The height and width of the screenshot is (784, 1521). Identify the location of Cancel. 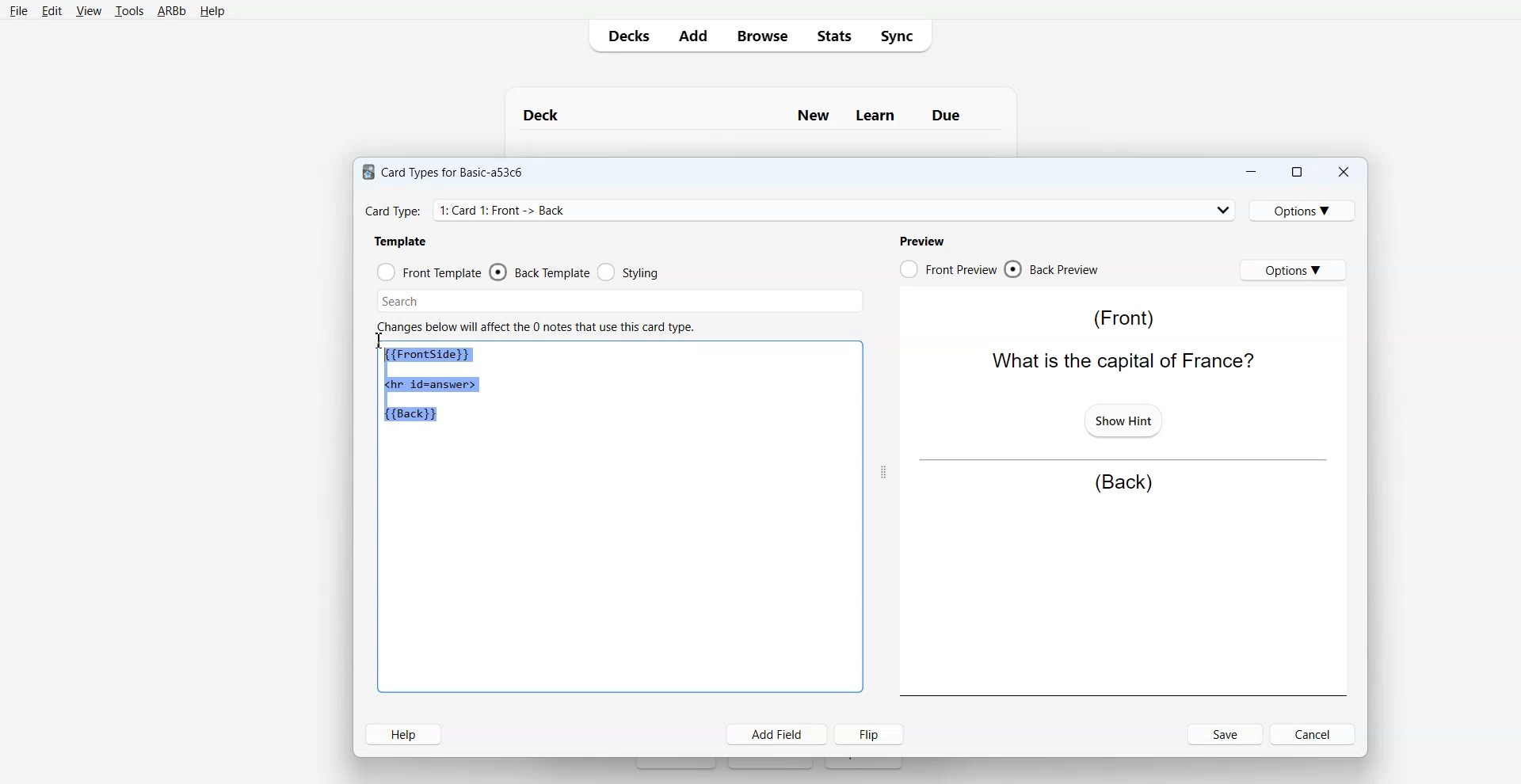
(1315, 733).